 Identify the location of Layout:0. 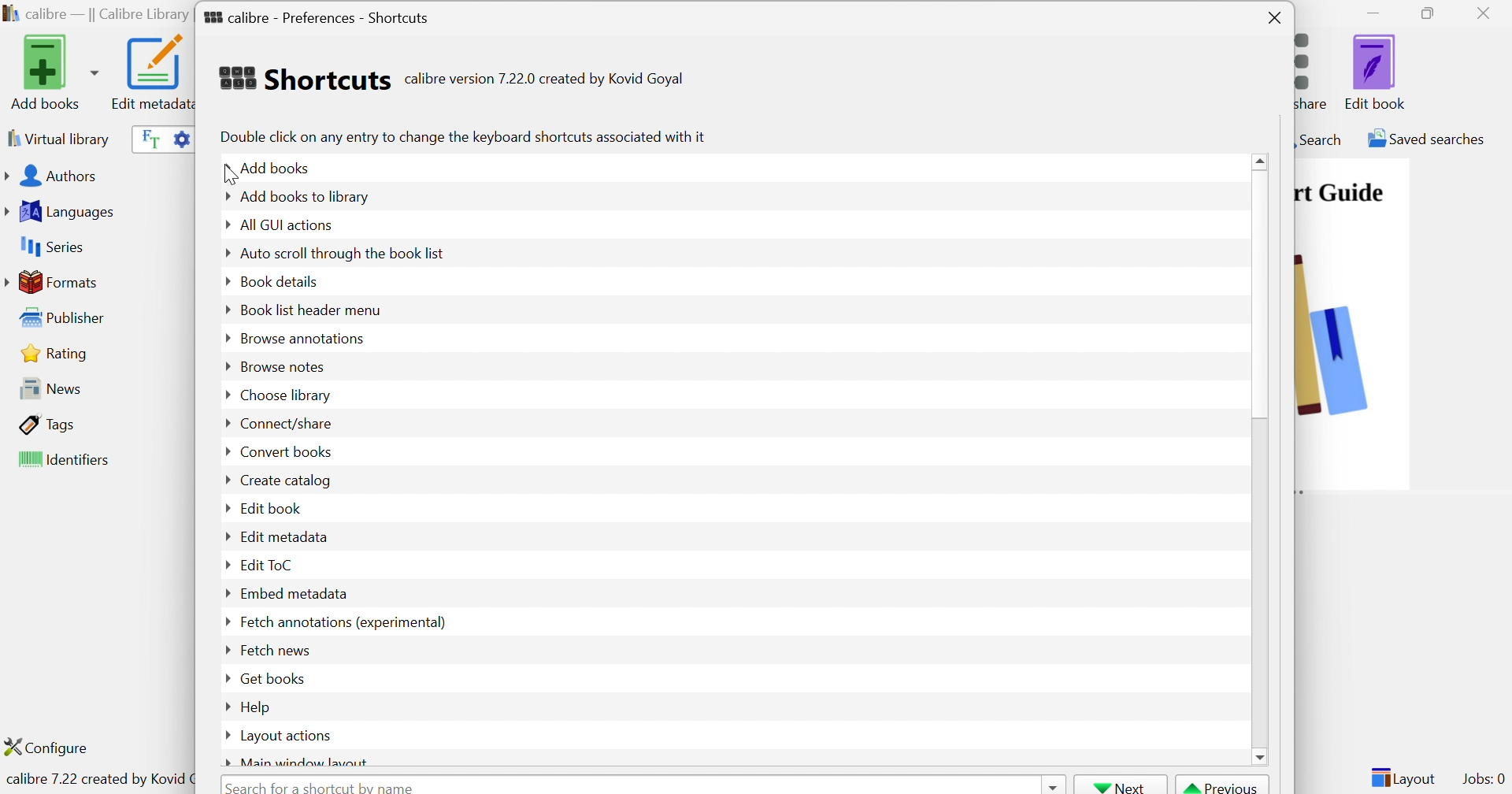
(1403, 777).